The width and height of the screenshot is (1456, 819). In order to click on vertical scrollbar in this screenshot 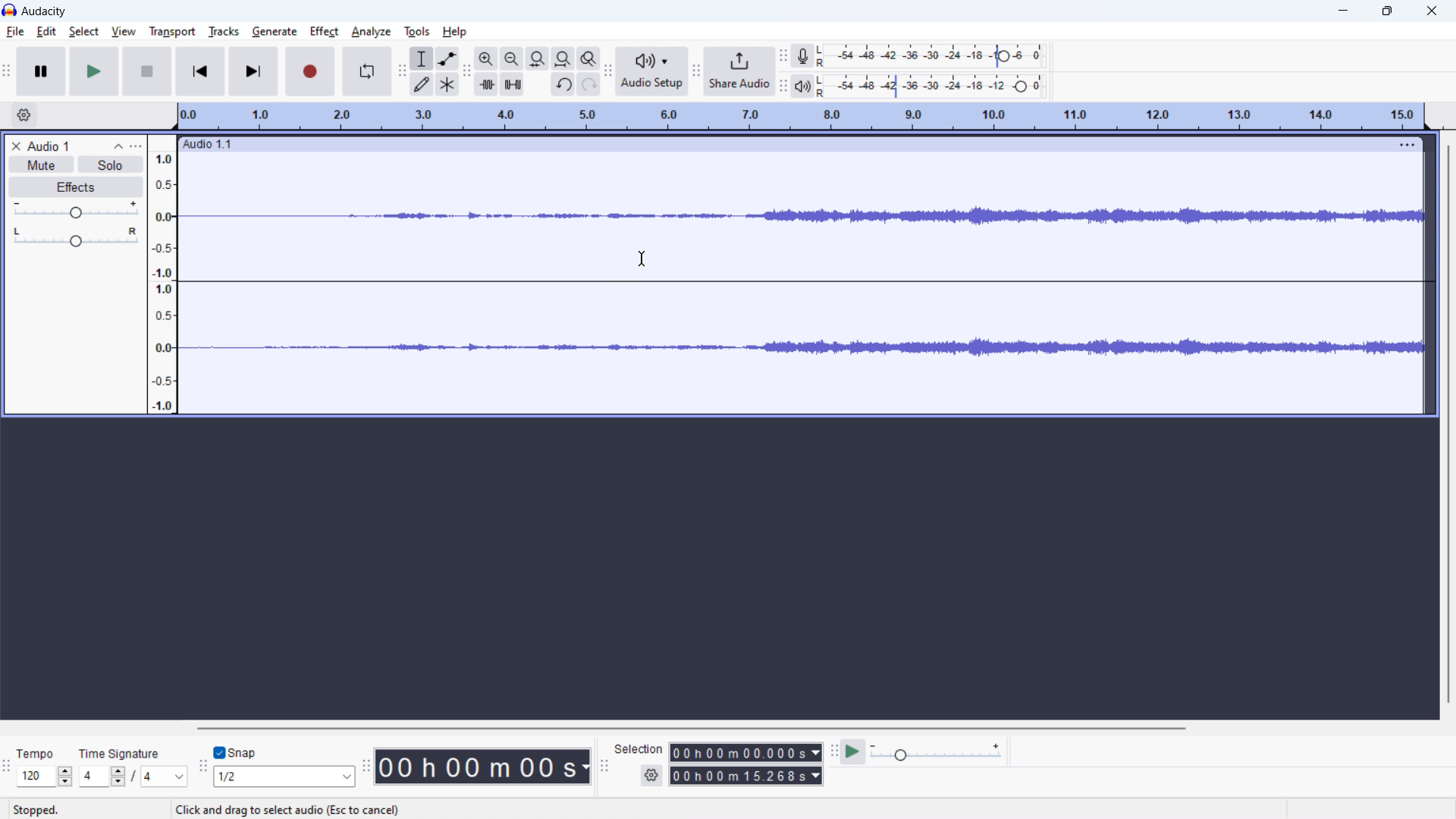, I will do `click(1448, 424)`.